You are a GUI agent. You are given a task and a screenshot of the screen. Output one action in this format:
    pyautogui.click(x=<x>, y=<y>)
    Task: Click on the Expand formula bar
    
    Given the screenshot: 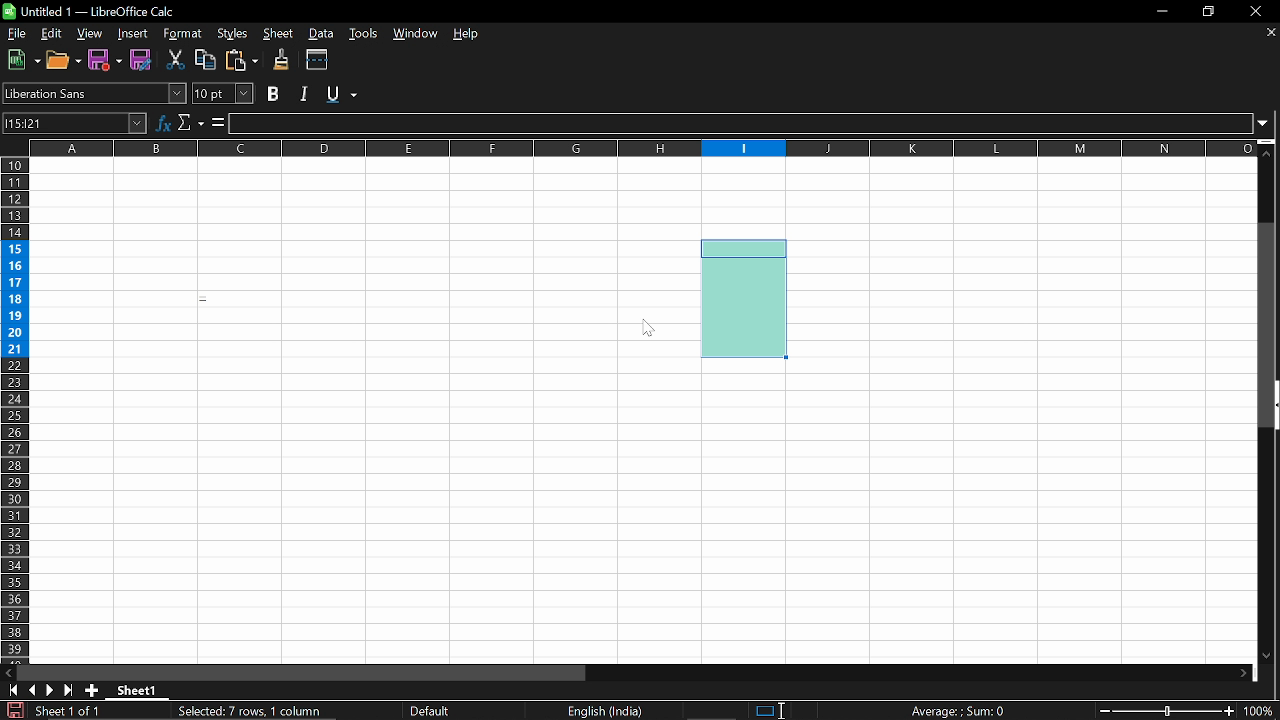 What is the action you would take?
    pyautogui.click(x=1269, y=126)
    